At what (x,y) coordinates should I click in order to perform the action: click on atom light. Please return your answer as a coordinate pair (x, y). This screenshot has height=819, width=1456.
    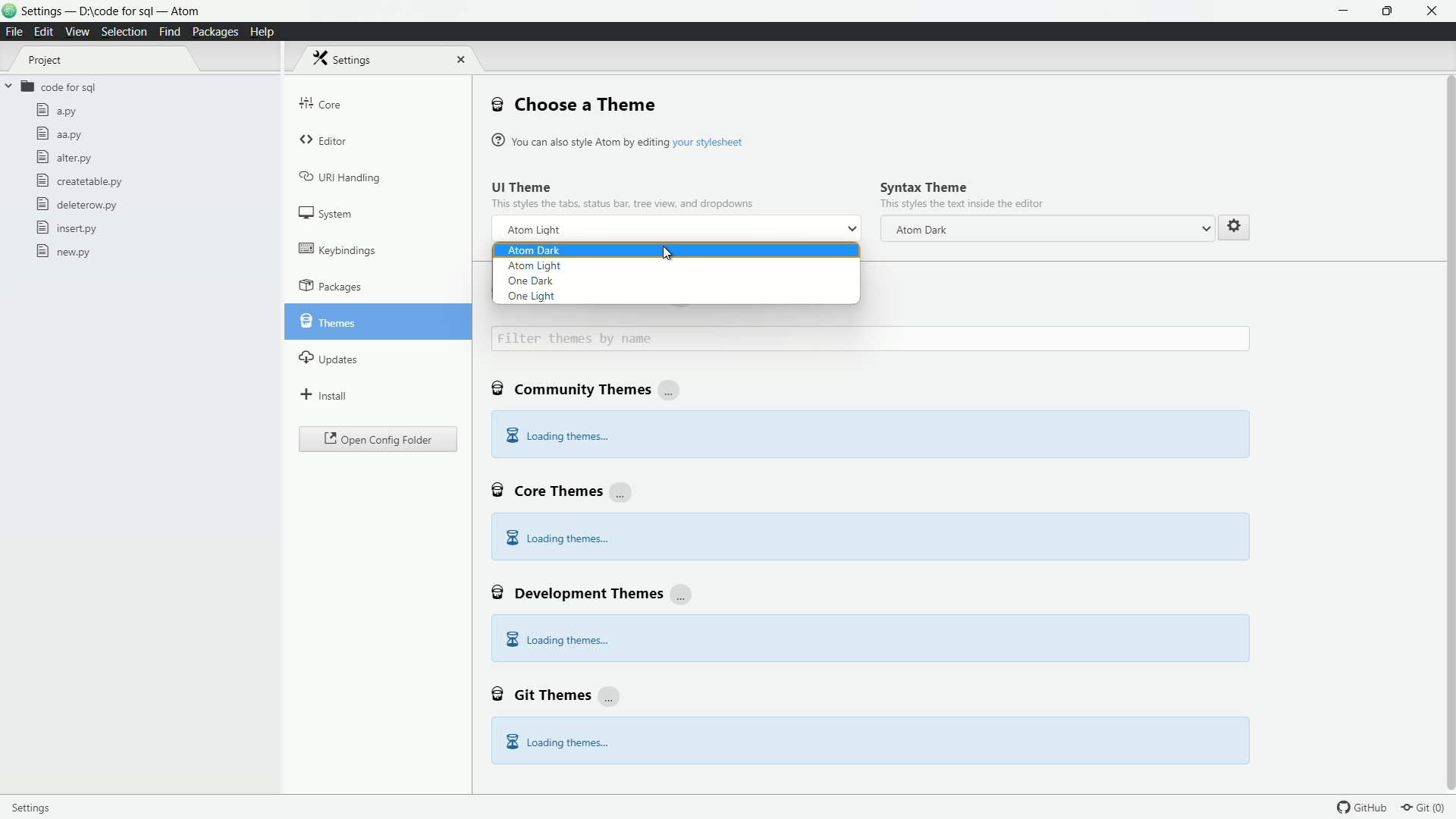
    Looking at the image, I should click on (534, 265).